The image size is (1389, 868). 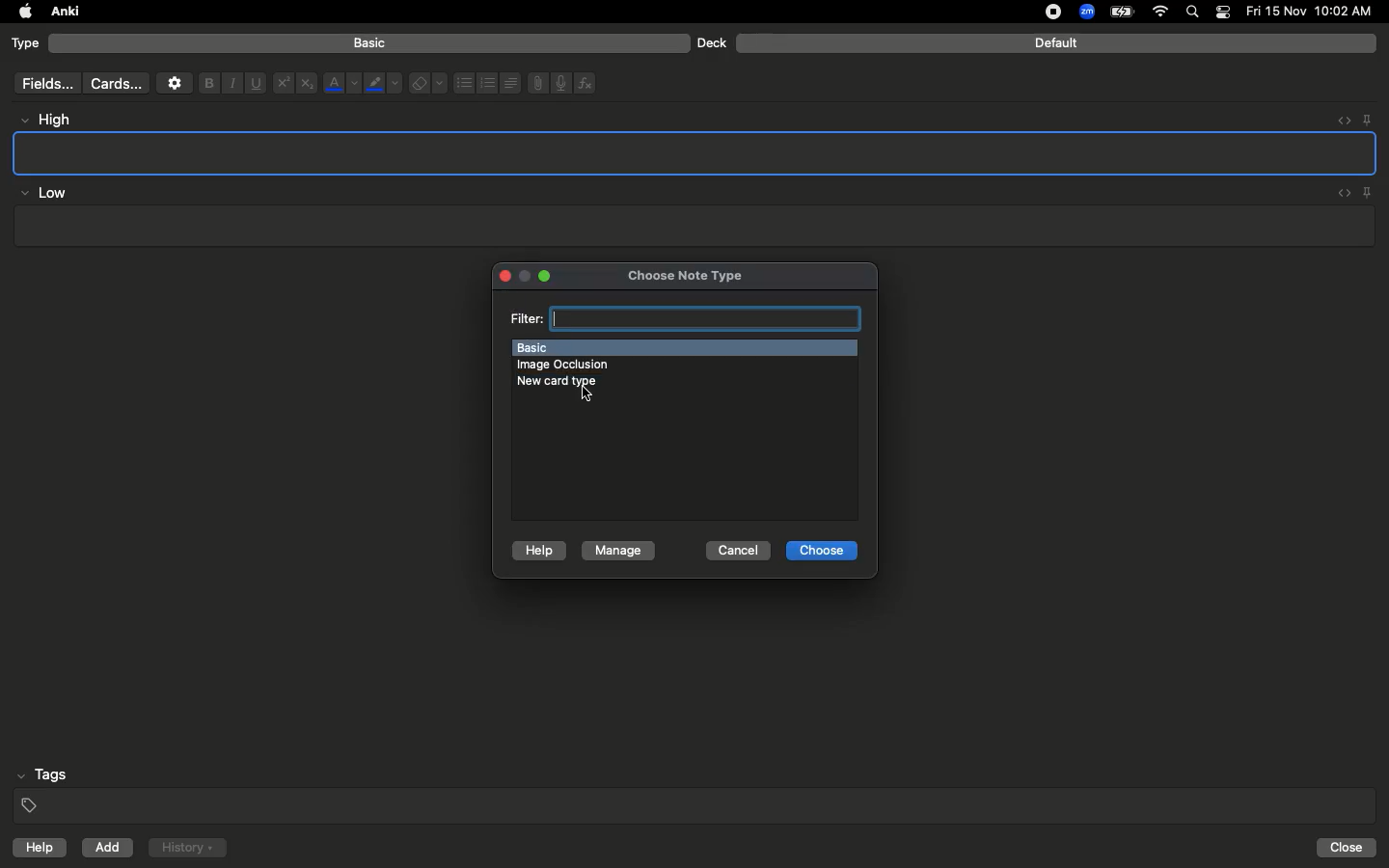 I want to click on Bold, so click(x=207, y=82).